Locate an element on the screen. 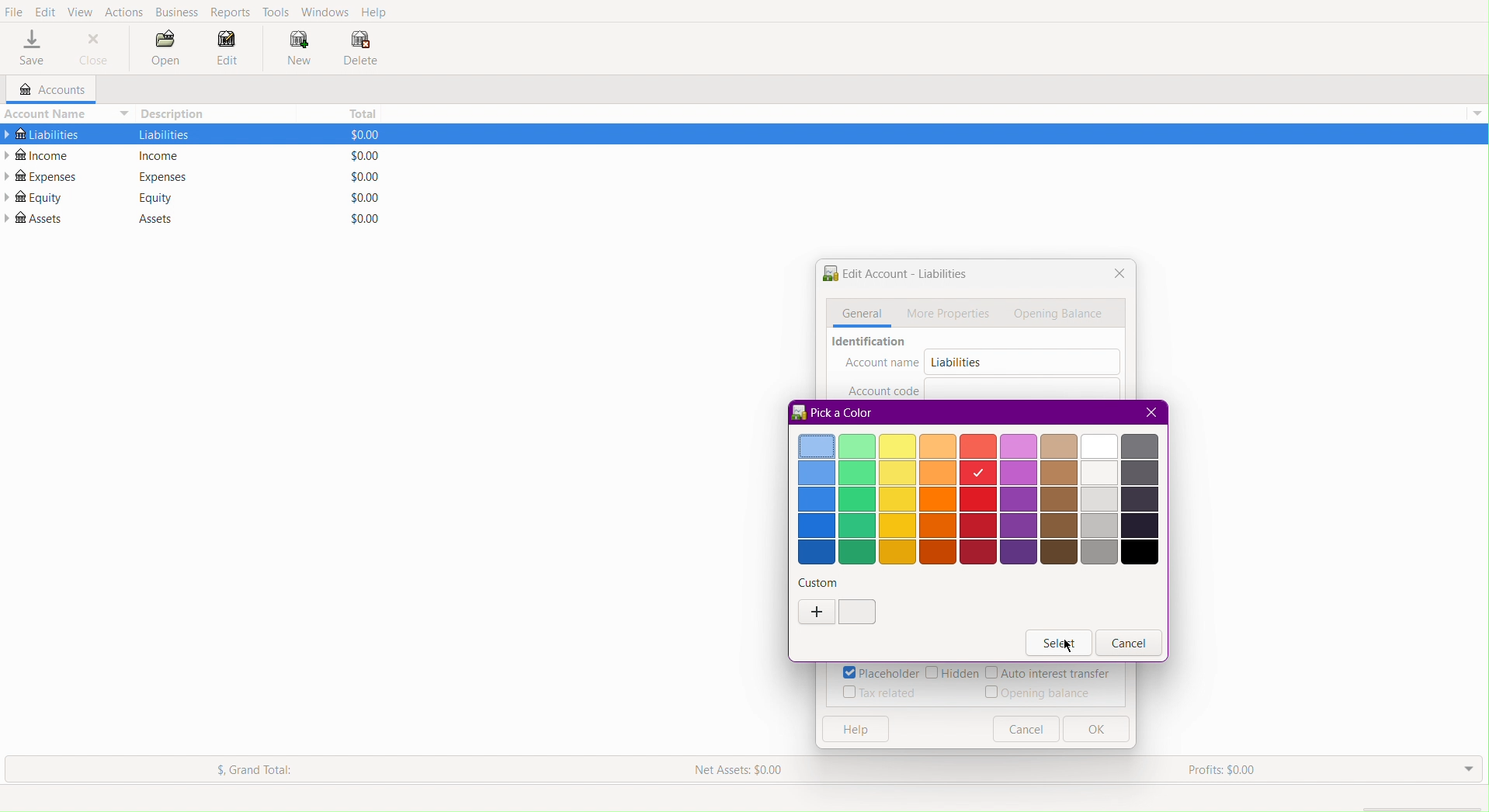 Image resolution: width=1489 pixels, height=812 pixels. Expenses is located at coordinates (161, 176).